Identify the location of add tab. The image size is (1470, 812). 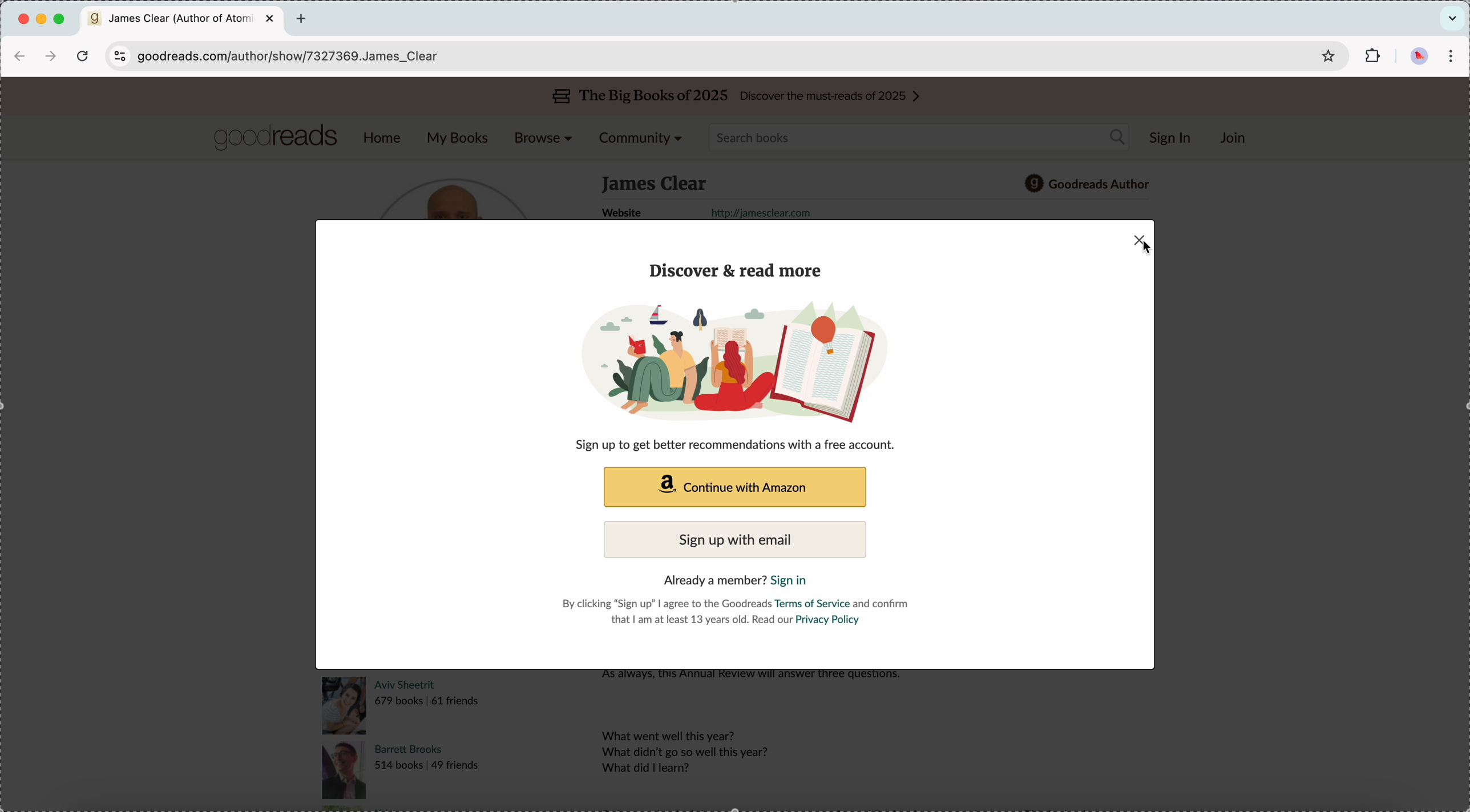
(303, 19).